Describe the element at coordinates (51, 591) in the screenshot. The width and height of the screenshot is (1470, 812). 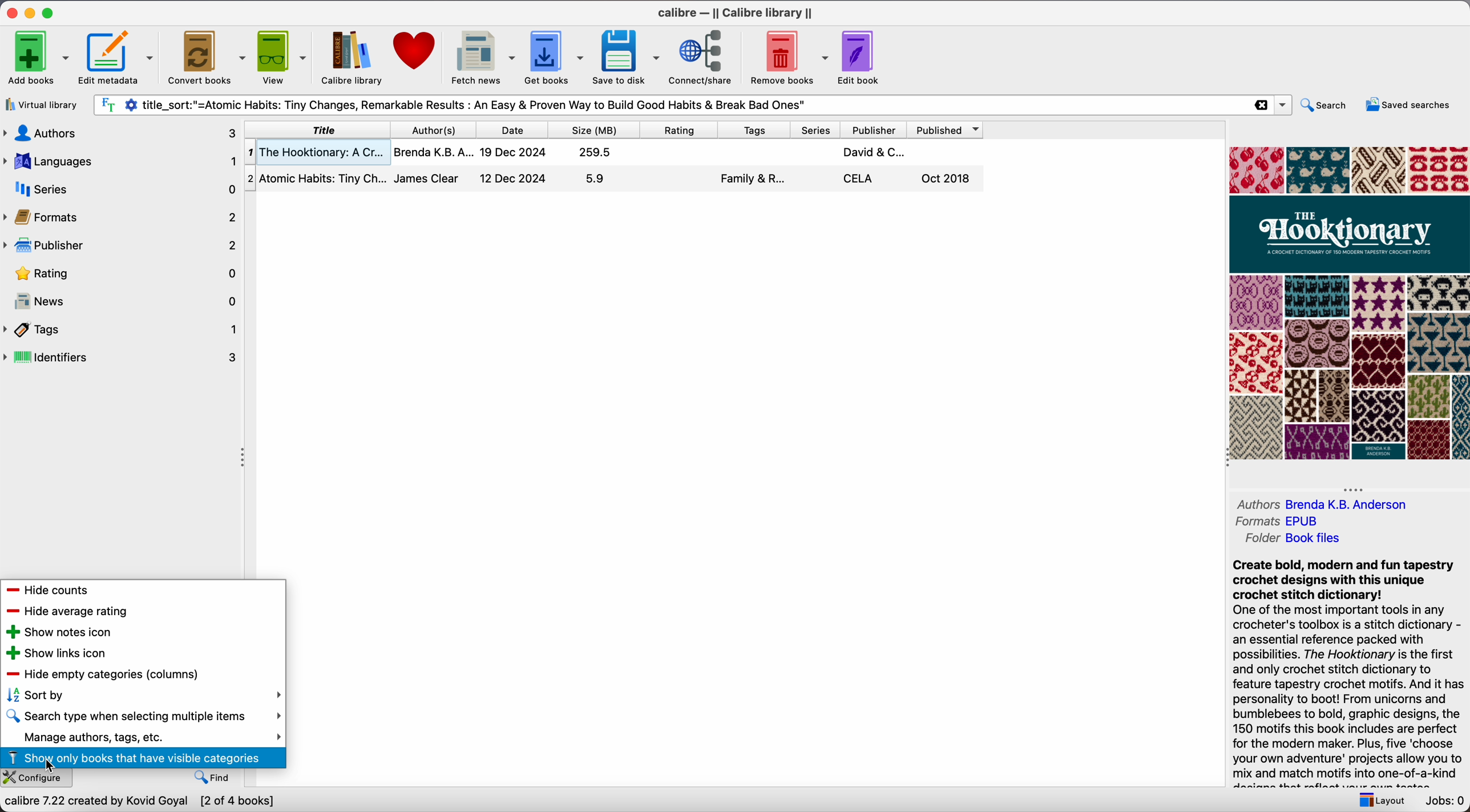
I see `hide counts` at that location.